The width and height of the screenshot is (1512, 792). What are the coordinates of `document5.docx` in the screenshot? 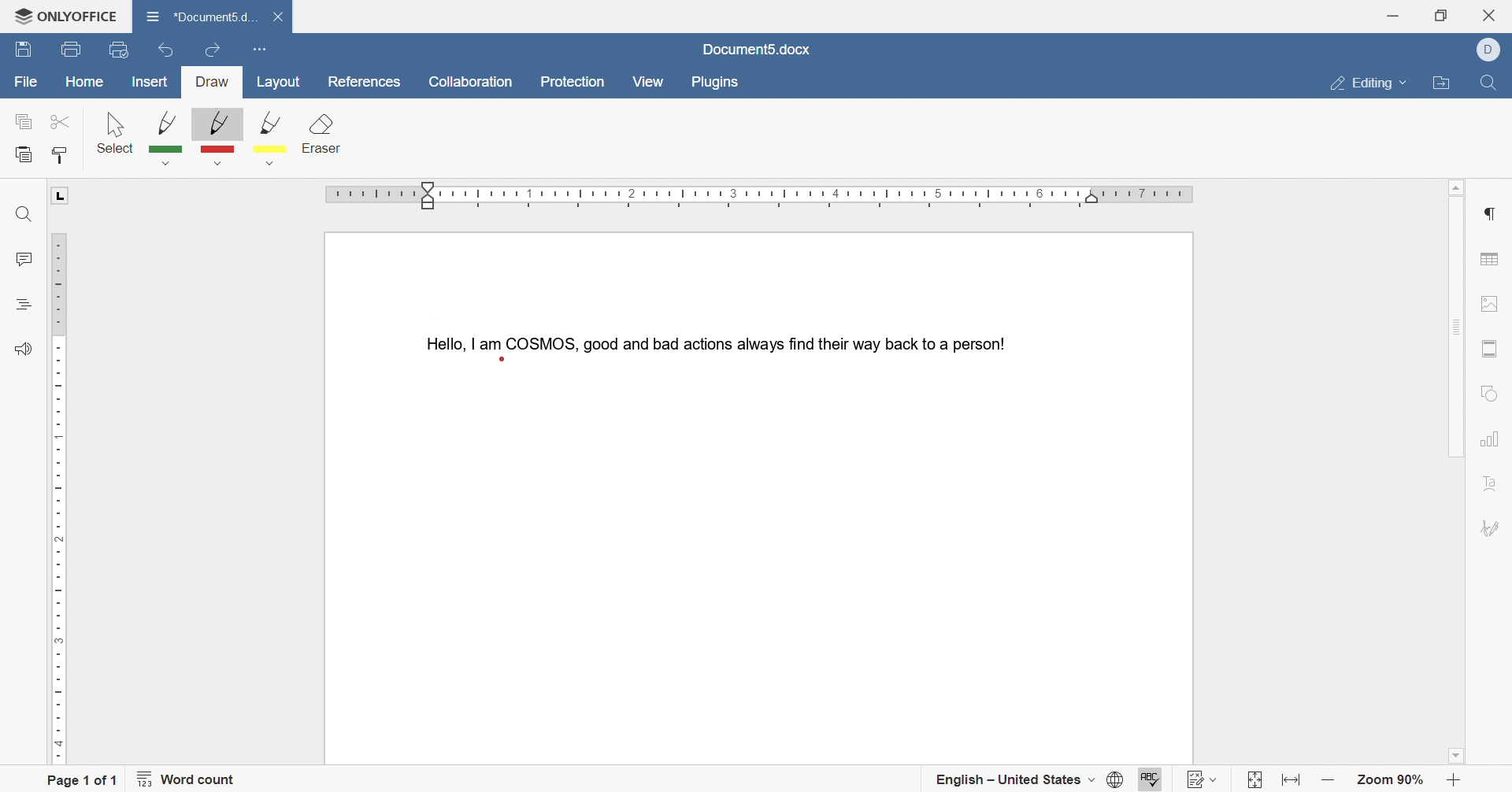 It's located at (757, 49).